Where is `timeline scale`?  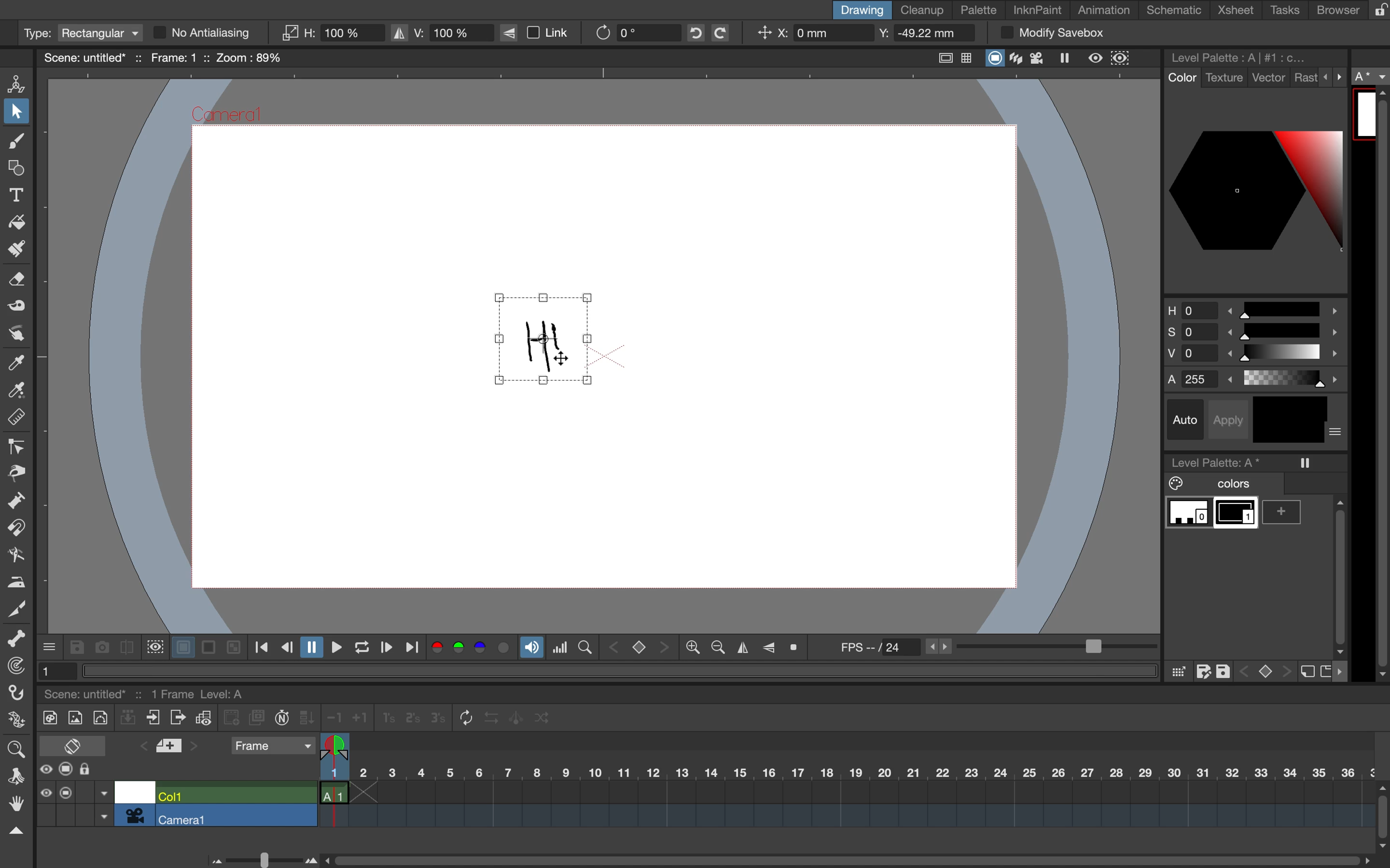 timeline scale is located at coordinates (845, 788).